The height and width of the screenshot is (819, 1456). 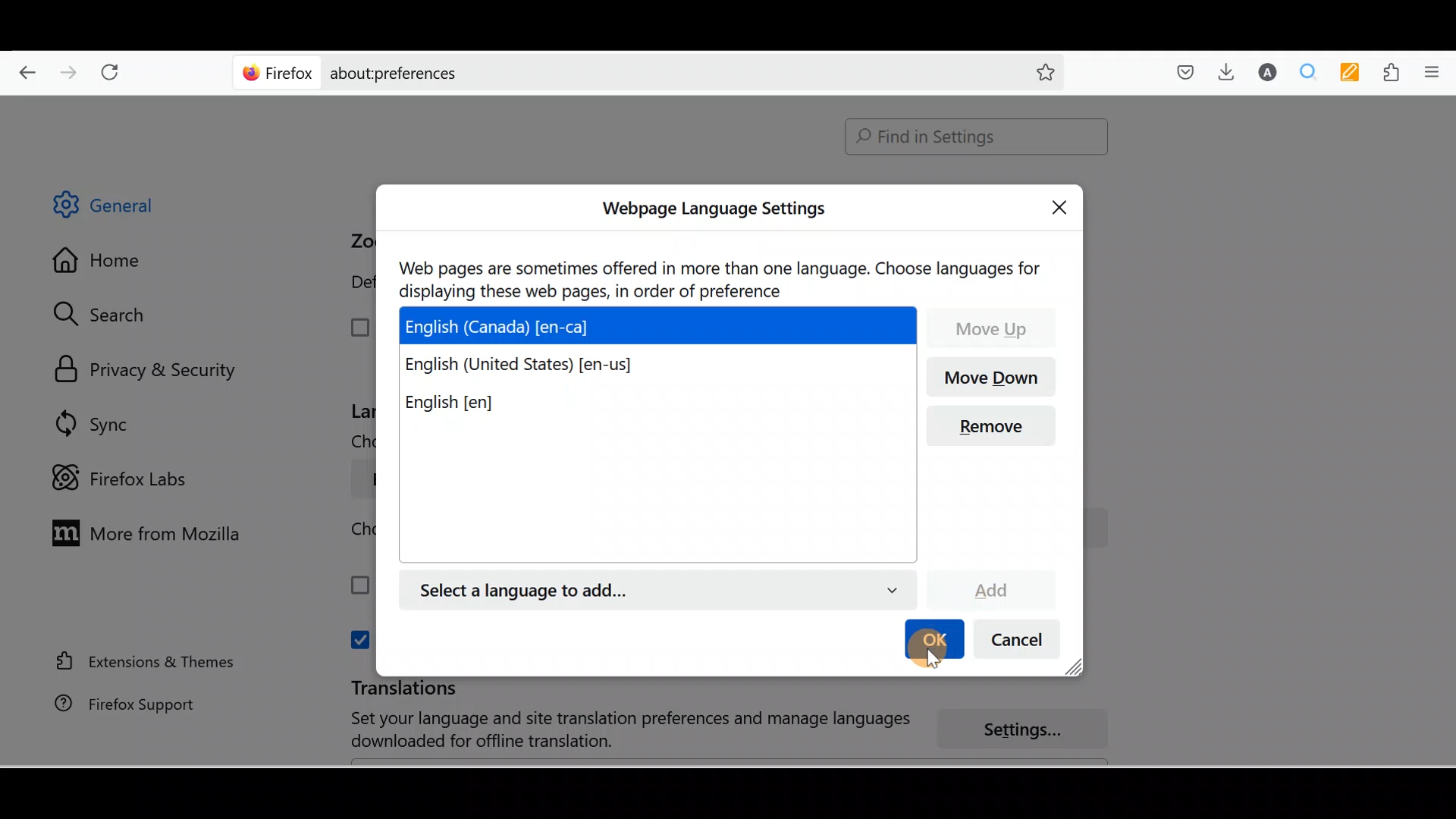 What do you see at coordinates (1354, 74) in the screenshot?
I see `Multi keywords highlighter` at bounding box center [1354, 74].